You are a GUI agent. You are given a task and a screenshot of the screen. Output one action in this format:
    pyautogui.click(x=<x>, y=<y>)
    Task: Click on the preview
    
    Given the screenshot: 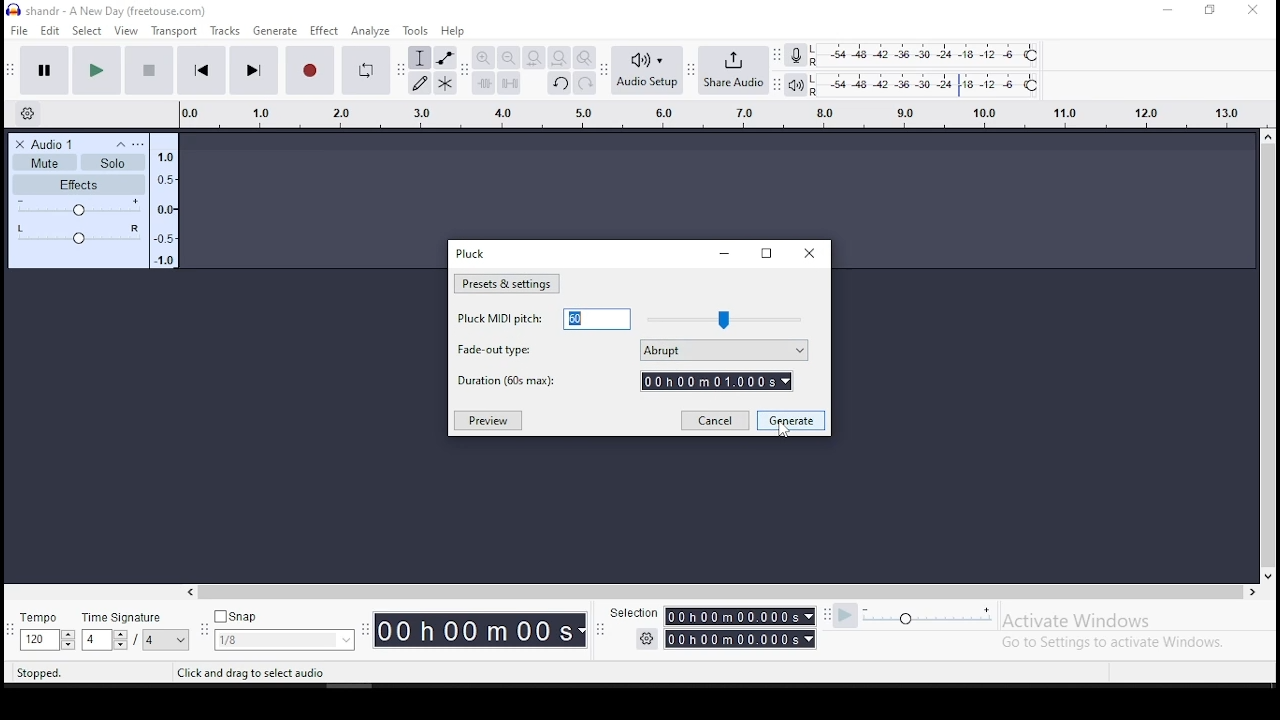 What is the action you would take?
    pyautogui.click(x=489, y=421)
    